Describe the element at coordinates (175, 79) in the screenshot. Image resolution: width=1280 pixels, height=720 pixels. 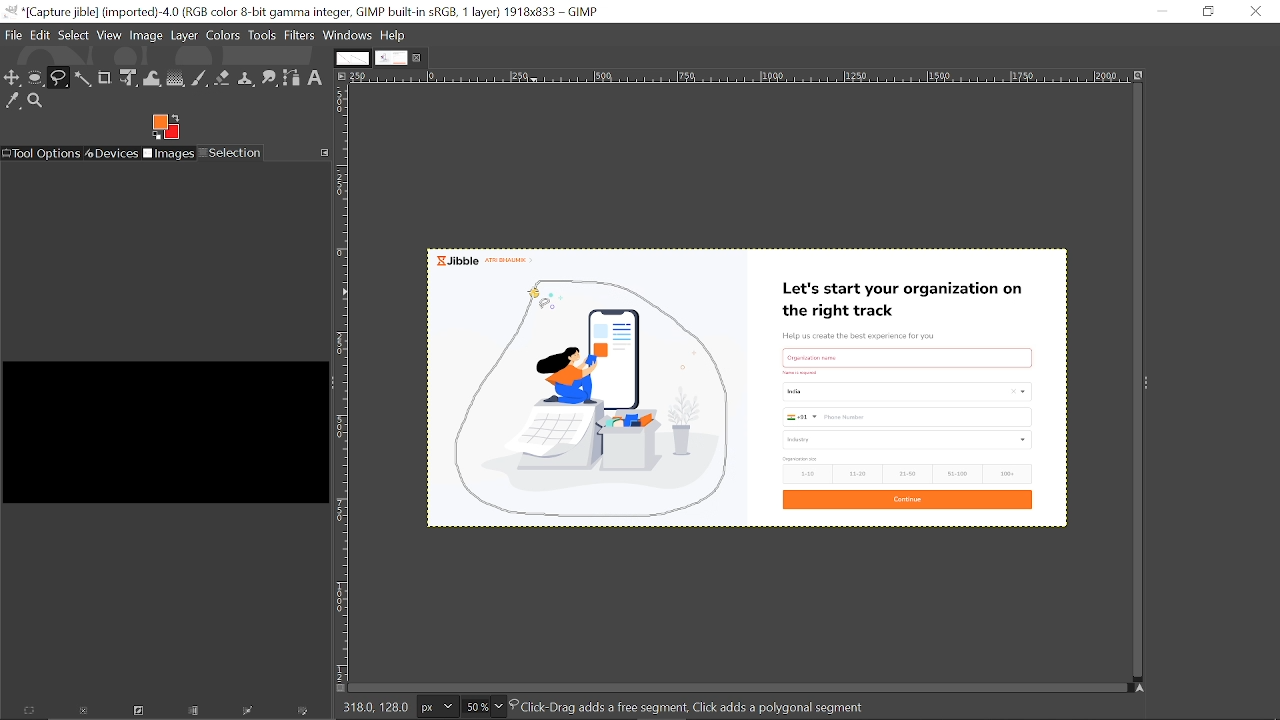
I see `Gradient` at that location.